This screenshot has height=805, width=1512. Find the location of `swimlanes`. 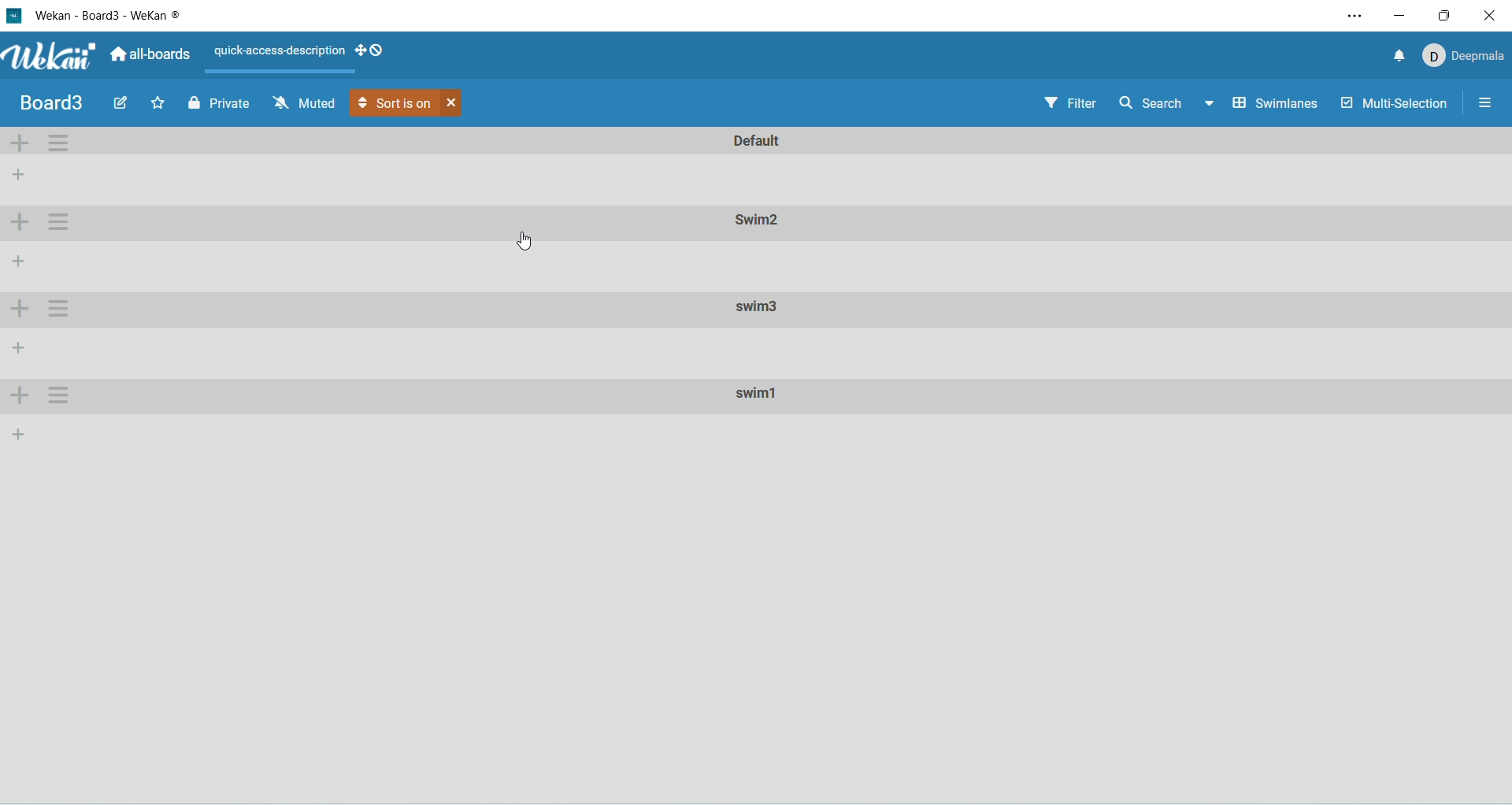

swimlanes is located at coordinates (1277, 106).